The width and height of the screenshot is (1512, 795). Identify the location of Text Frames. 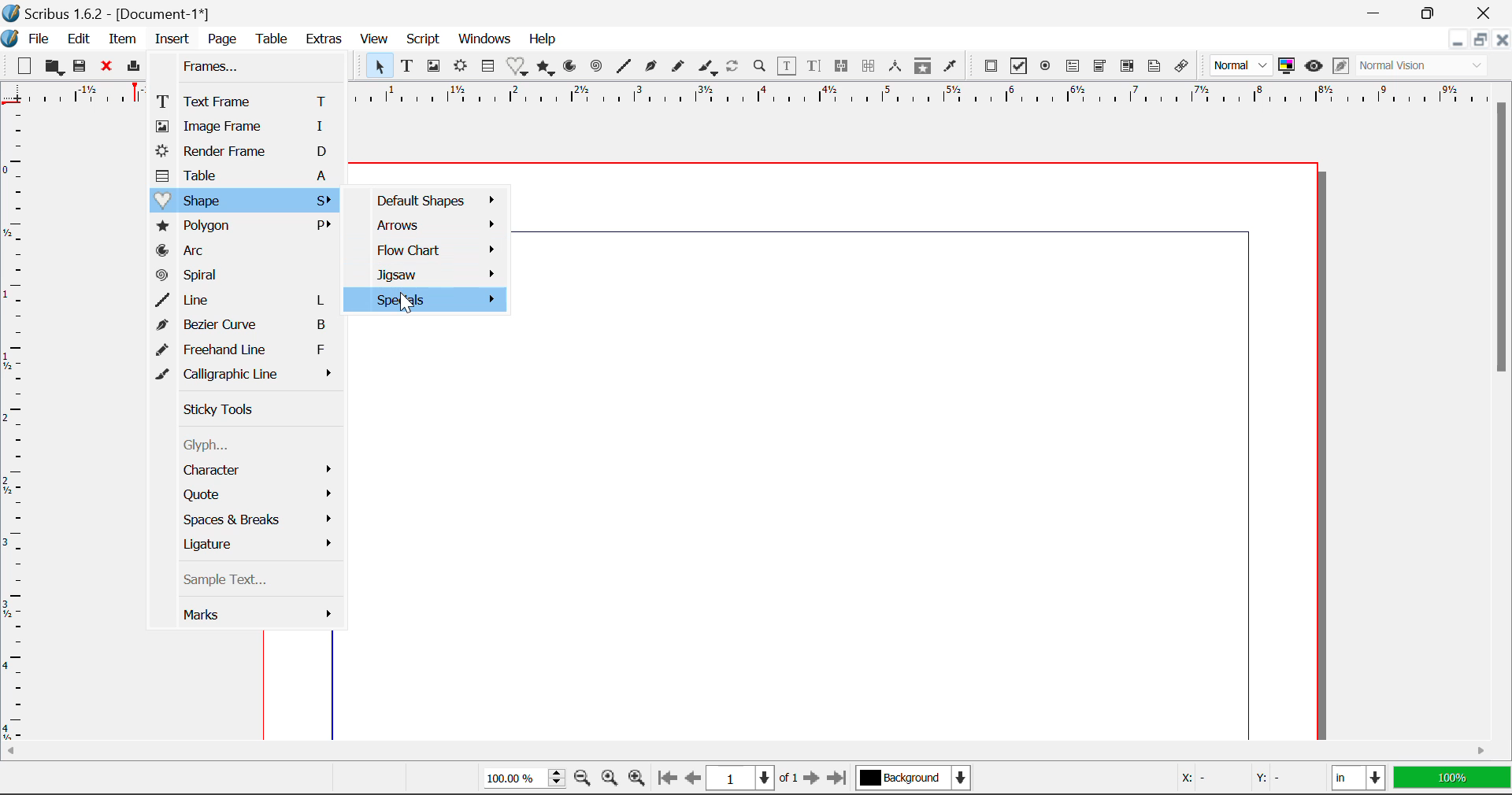
(408, 67).